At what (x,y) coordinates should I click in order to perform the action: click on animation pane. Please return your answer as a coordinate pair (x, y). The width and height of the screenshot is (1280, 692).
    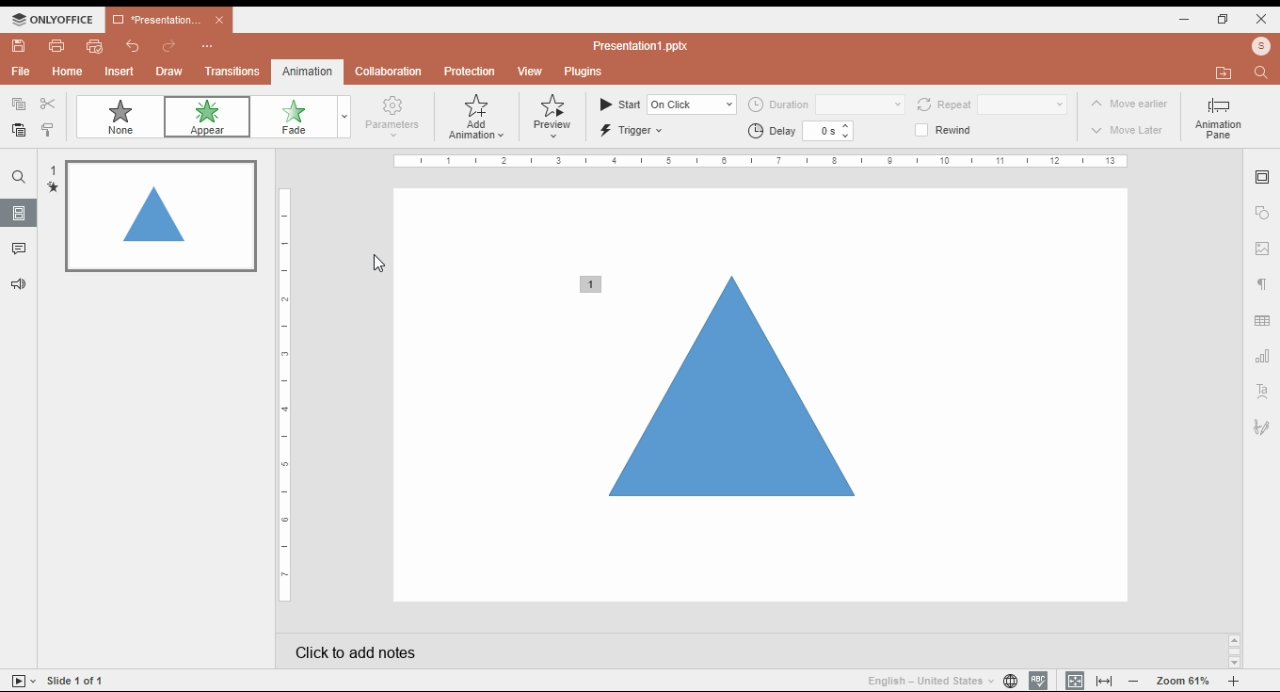
    Looking at the image, I should click on (1215, 117).